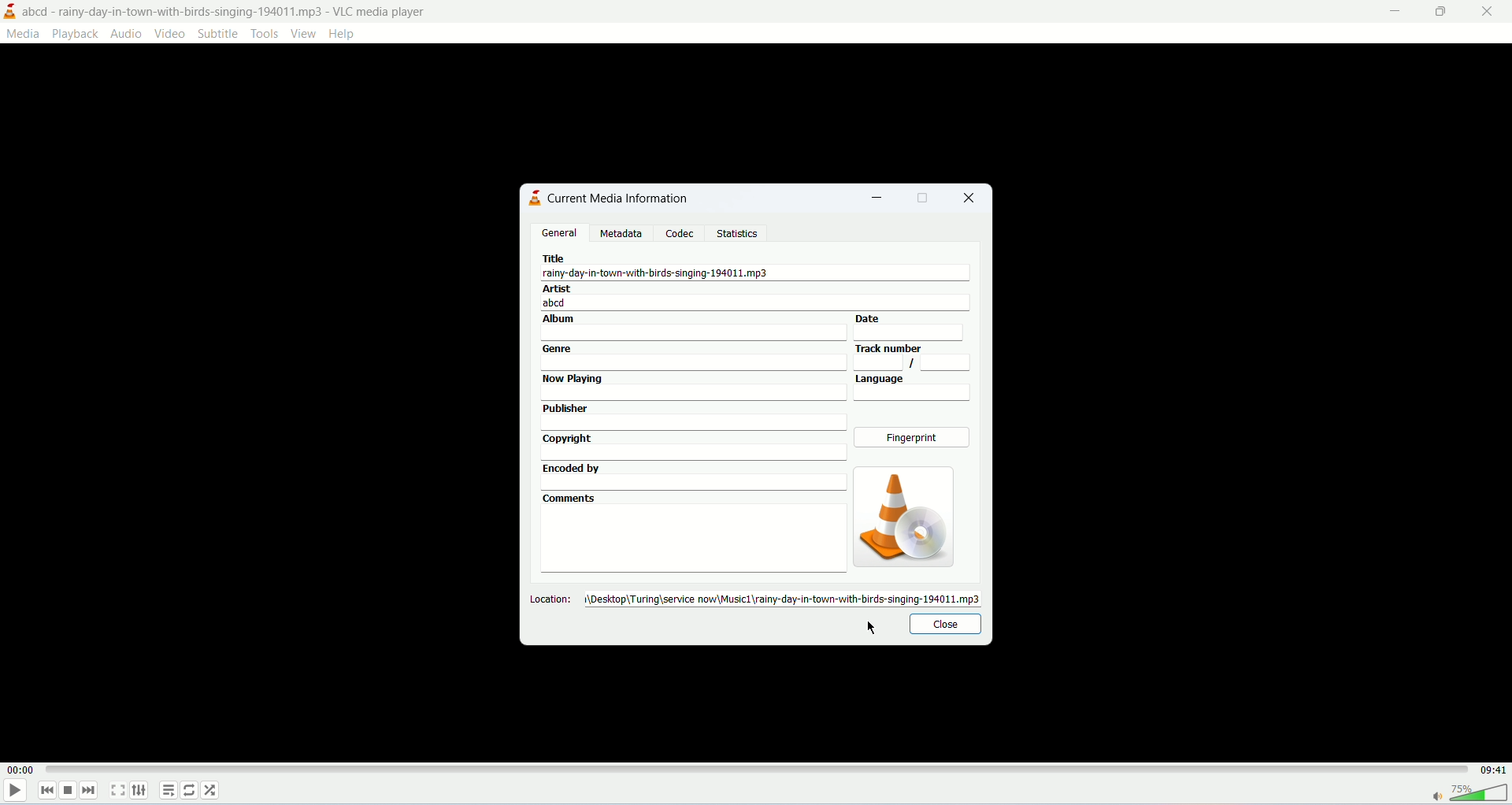 The image size is (1512, 805). I want to click on total time, so click(1492, 770).